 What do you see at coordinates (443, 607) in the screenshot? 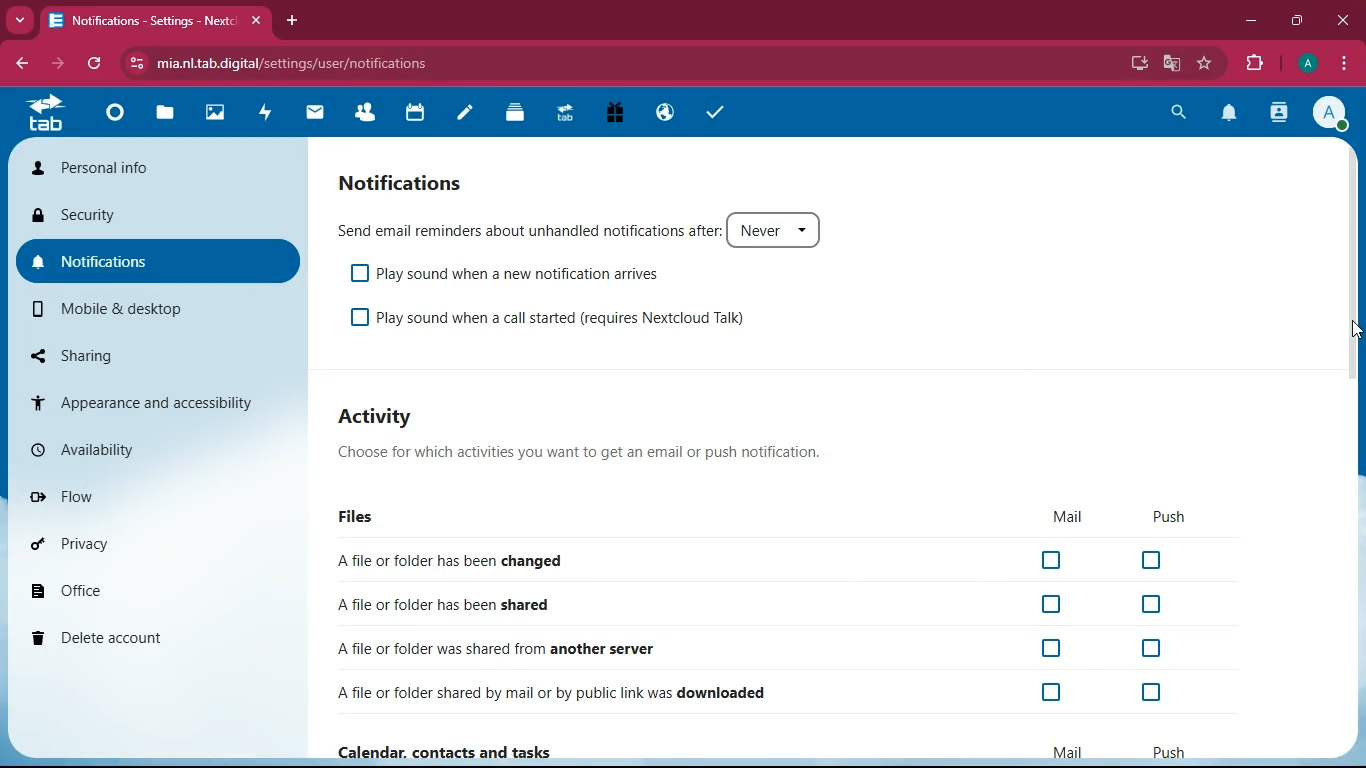
I see `A file or folder has been shared` at bounding box center [443, 607].